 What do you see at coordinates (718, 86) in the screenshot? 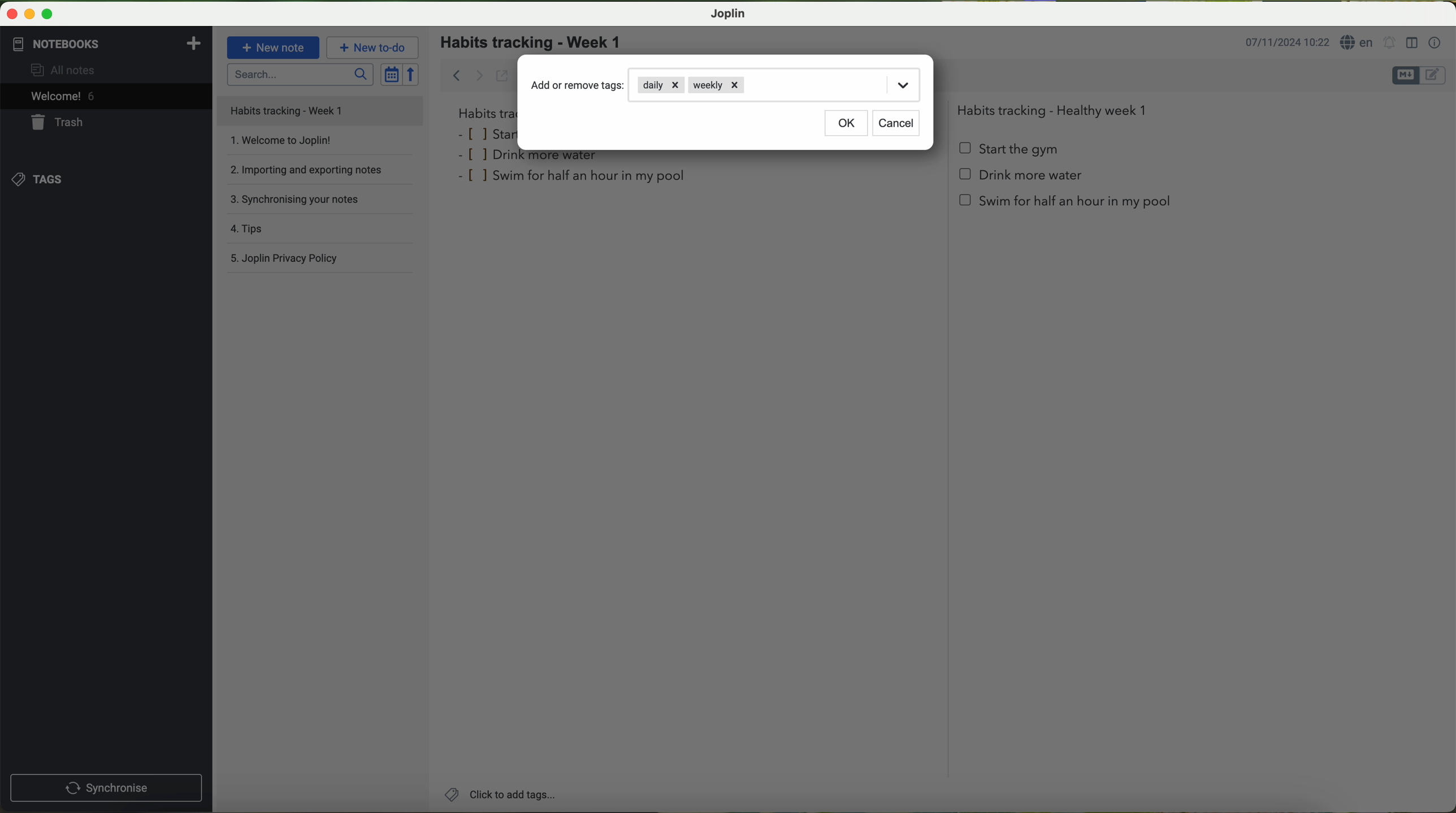
I see `weekly` at bounding box center [718, 86].